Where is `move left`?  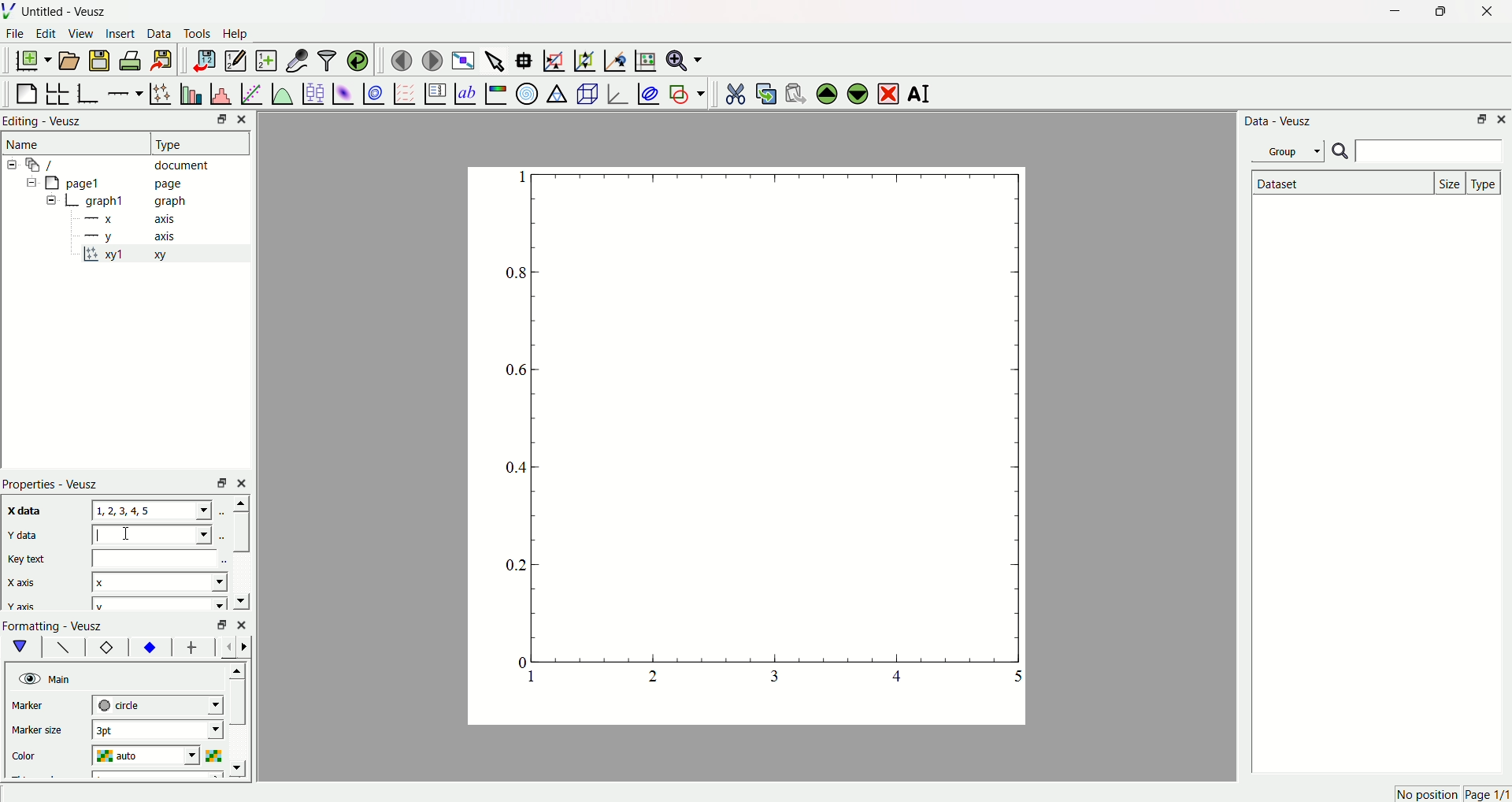 move left is located at coordinates (230, 647).